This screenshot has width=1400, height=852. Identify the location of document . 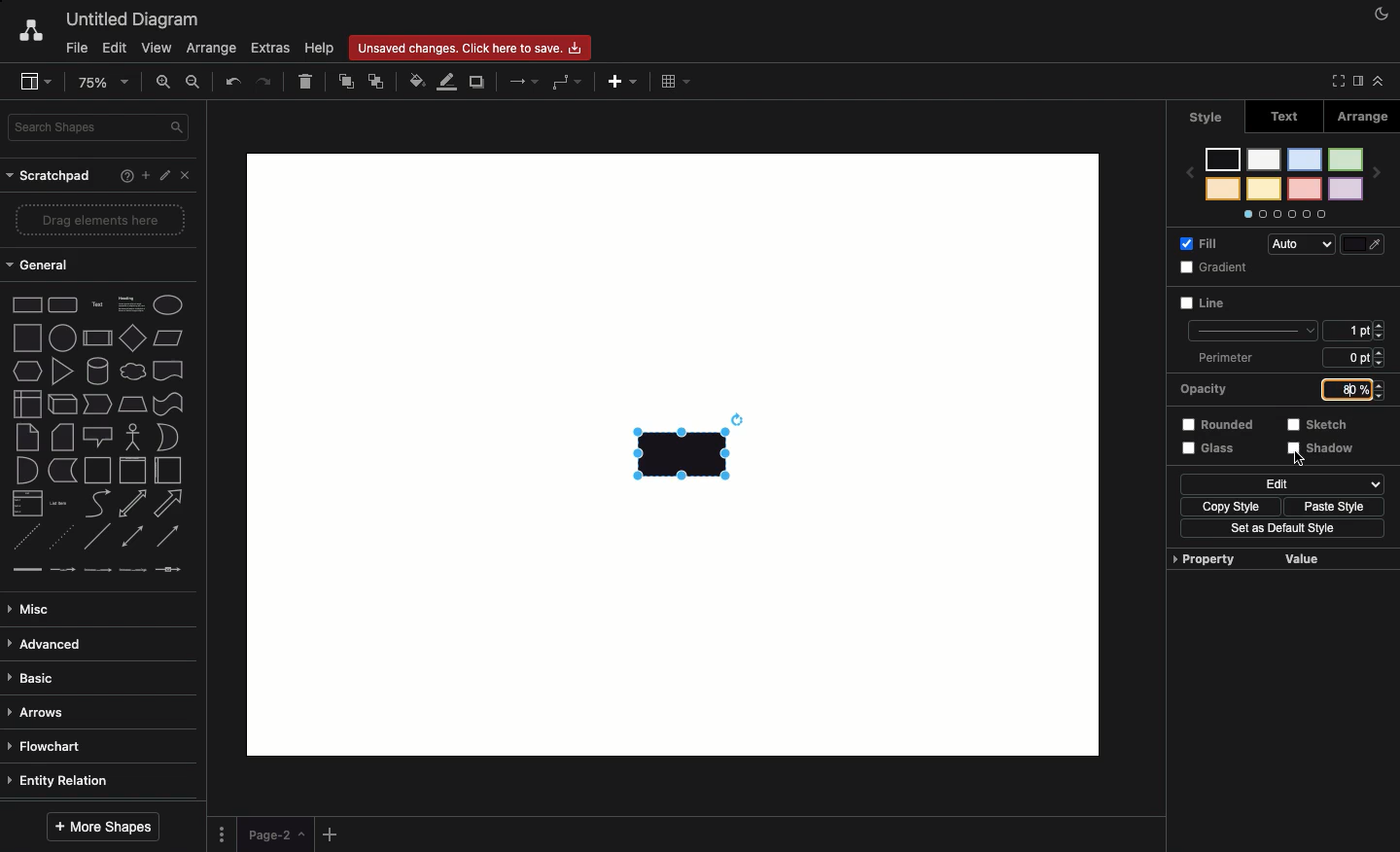
(168, 371).